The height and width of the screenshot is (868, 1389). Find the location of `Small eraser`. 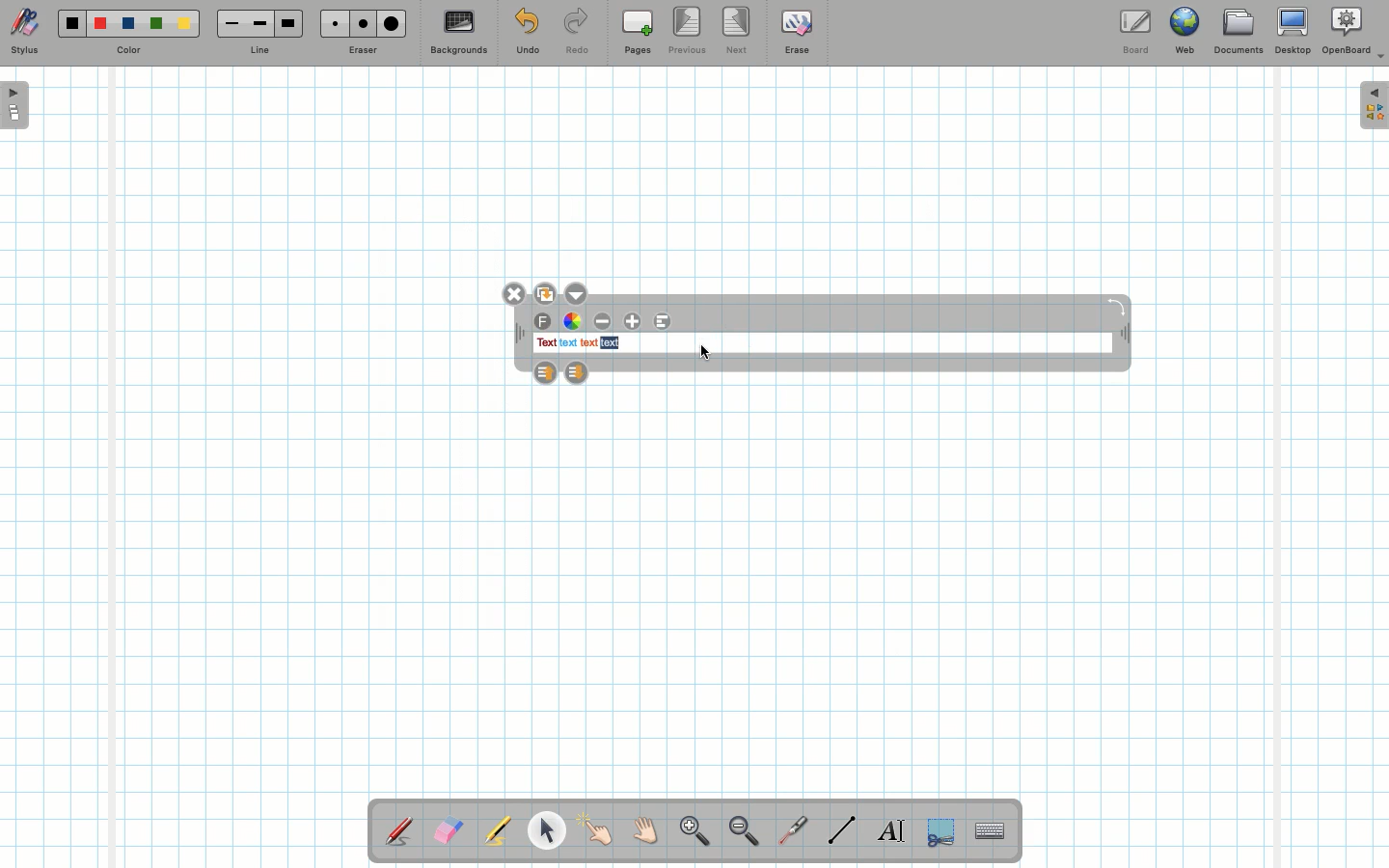

Small eraser is located at coordinates (330, 23).